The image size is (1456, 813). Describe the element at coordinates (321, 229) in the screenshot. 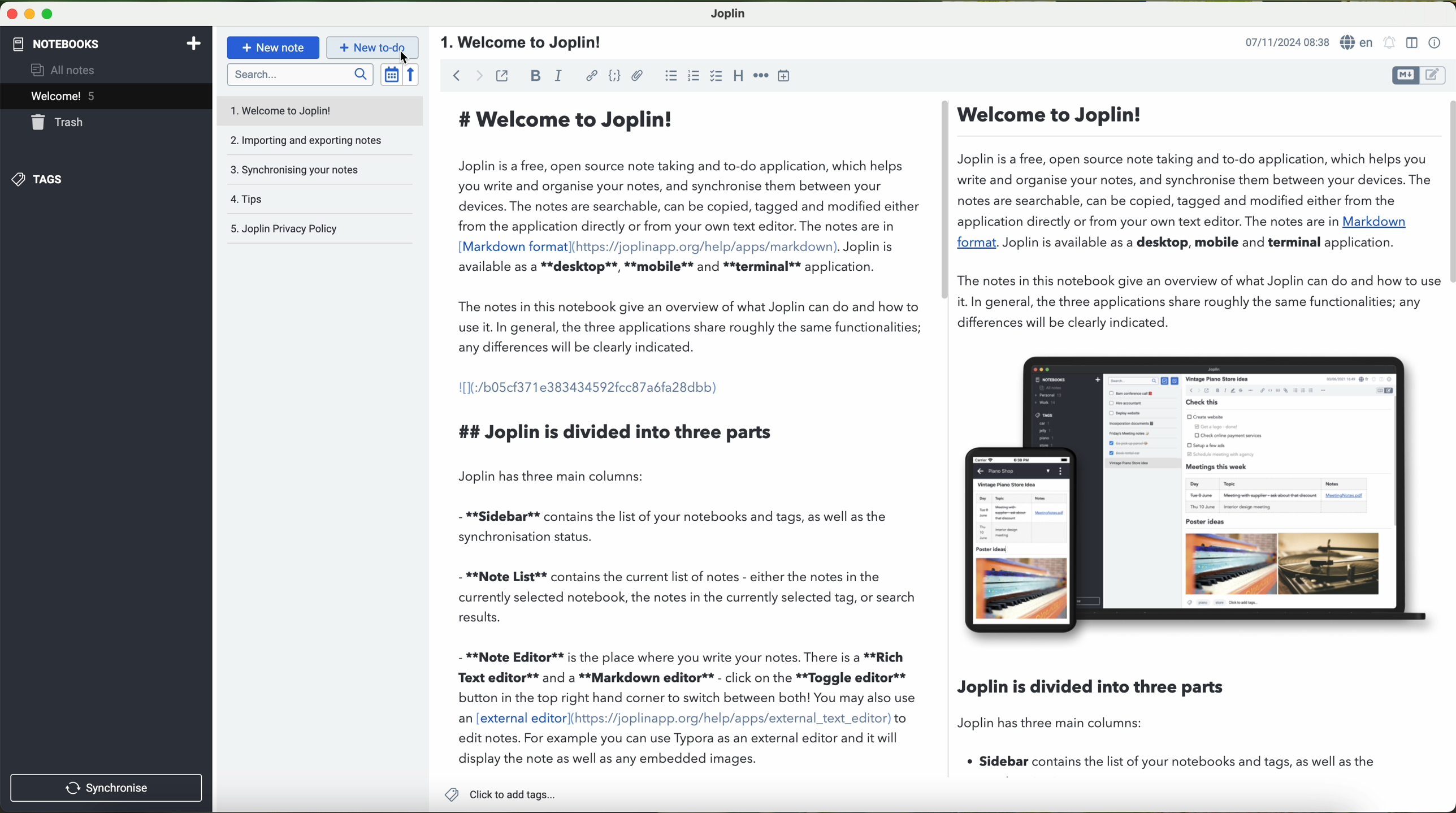

I see `Joplin privacy policy` at that location.